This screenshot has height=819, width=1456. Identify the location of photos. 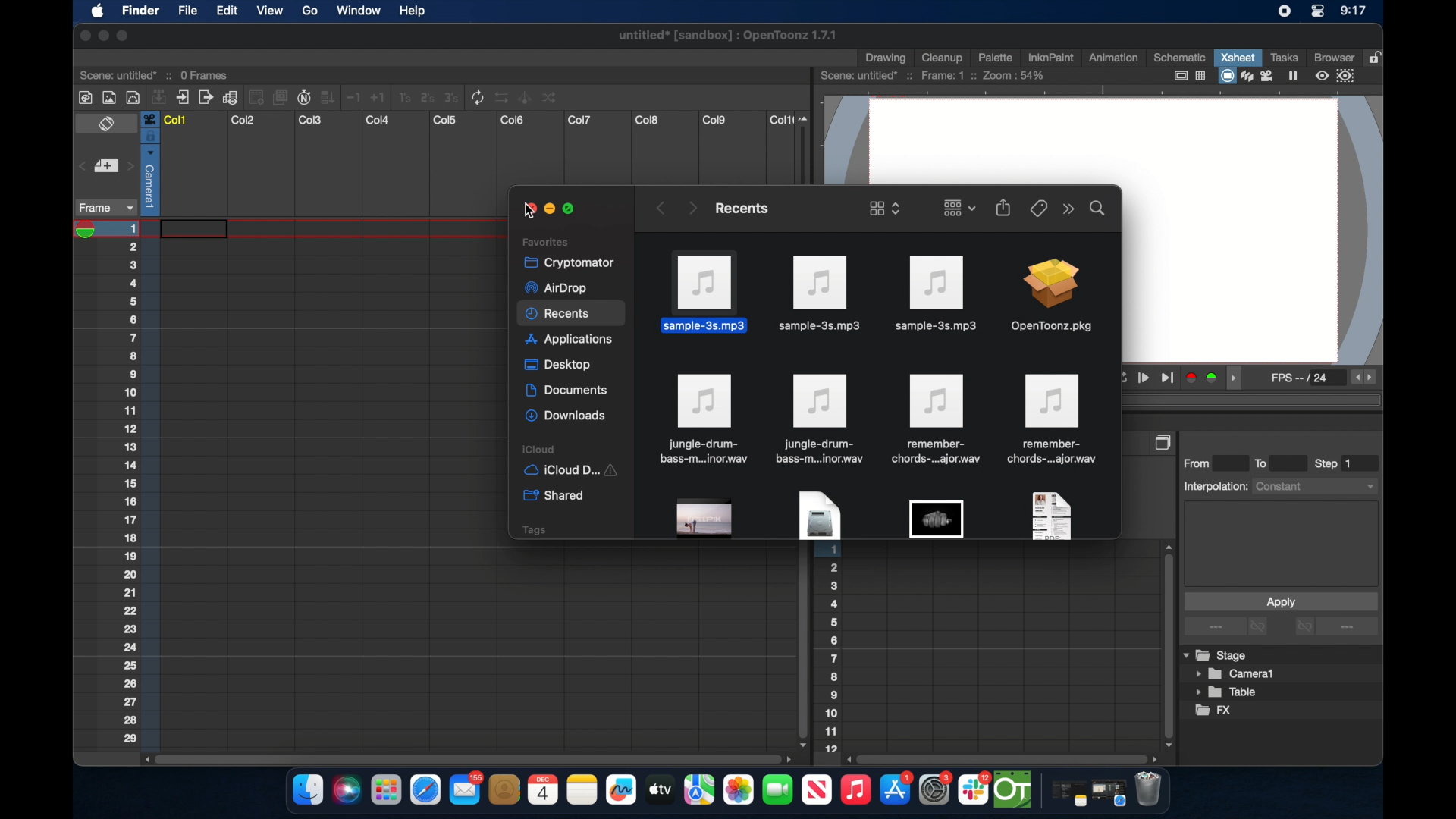
(738, 790).